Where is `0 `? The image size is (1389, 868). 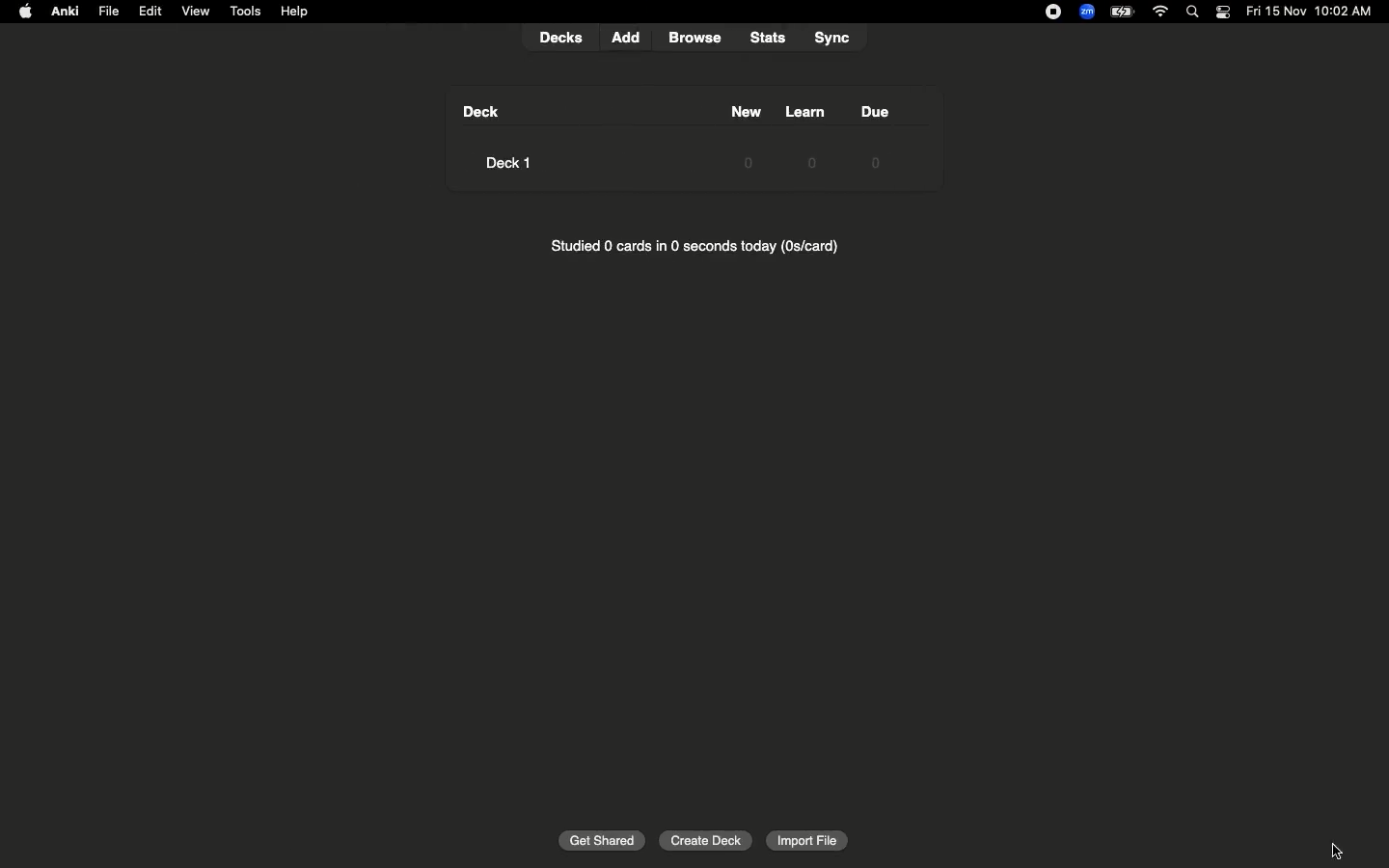 0  is located at coordinates (801, 161).